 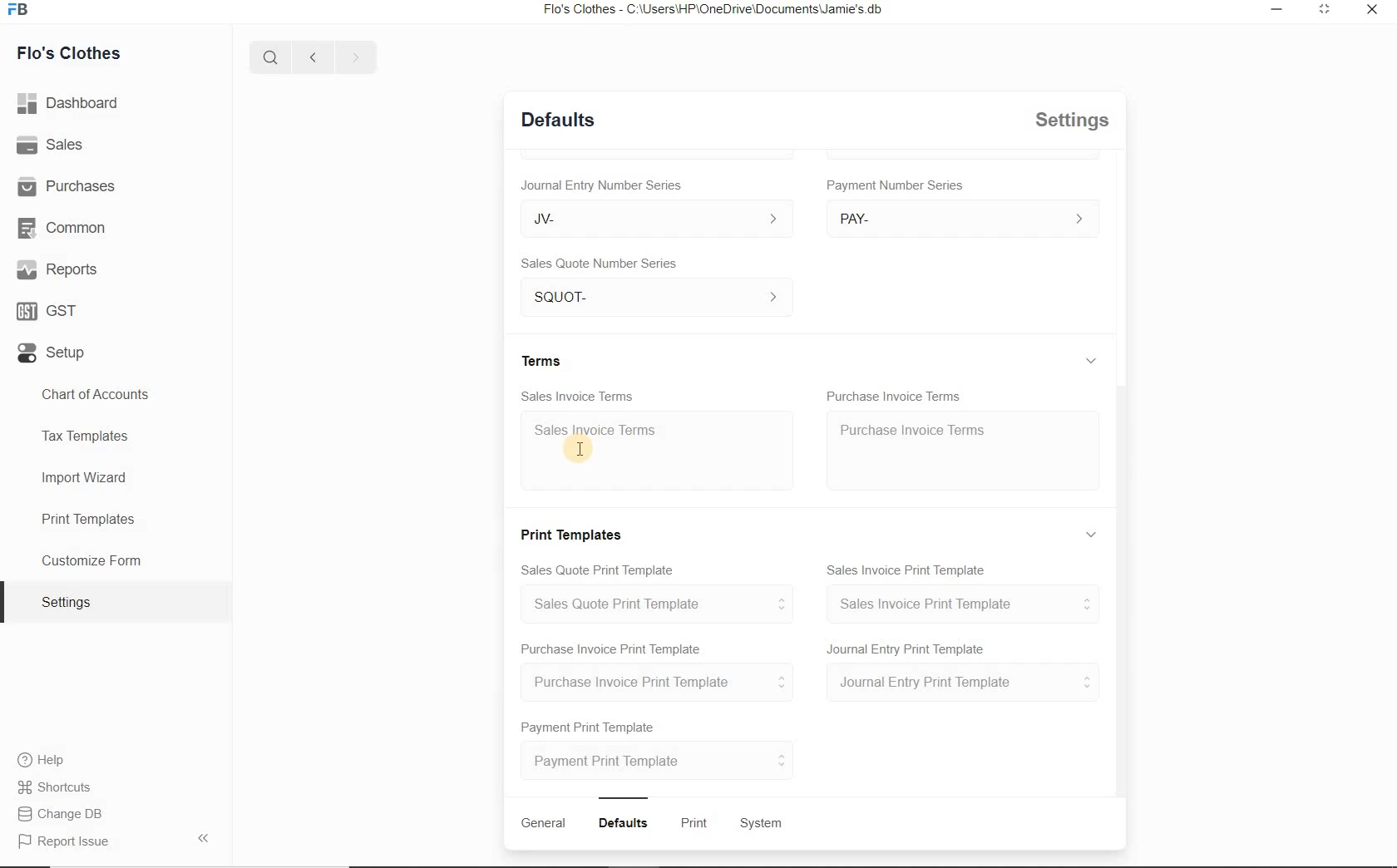 What do you see at coordinates (909, 567) in the screenshot?
I see `Sales Invoice Print Template` at bounding box center [909, 567].